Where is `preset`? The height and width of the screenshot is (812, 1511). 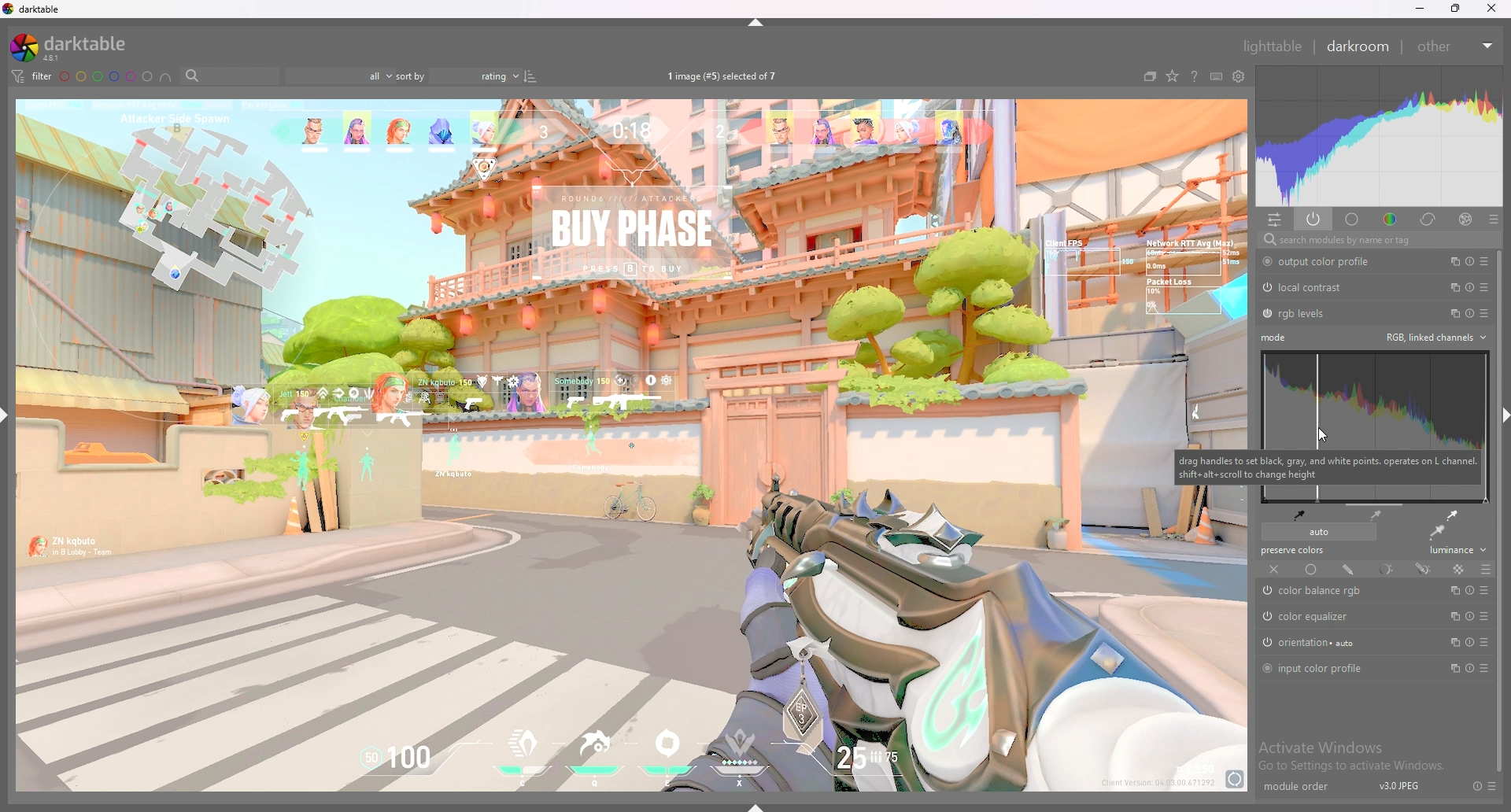 preset is located at coordinates (1485, 642).